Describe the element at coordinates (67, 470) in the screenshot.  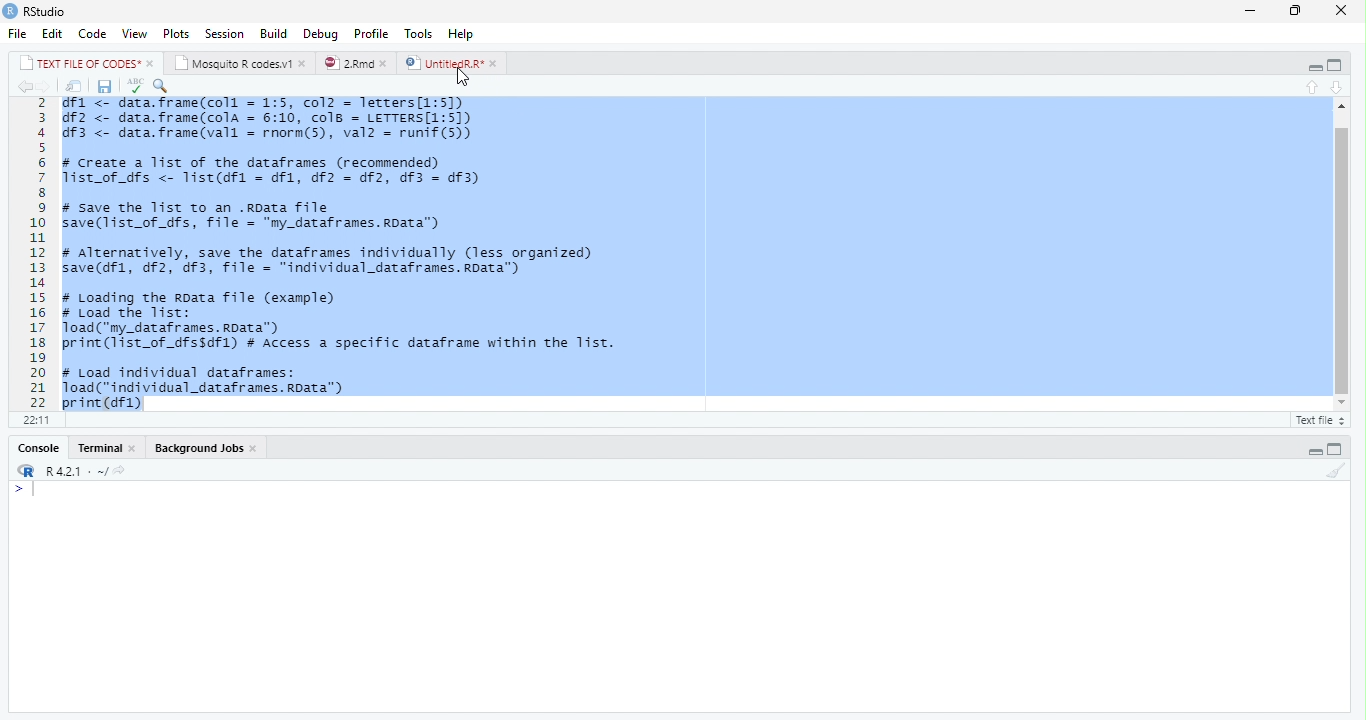
I see `R 4.2.1 - ~/` at that location.